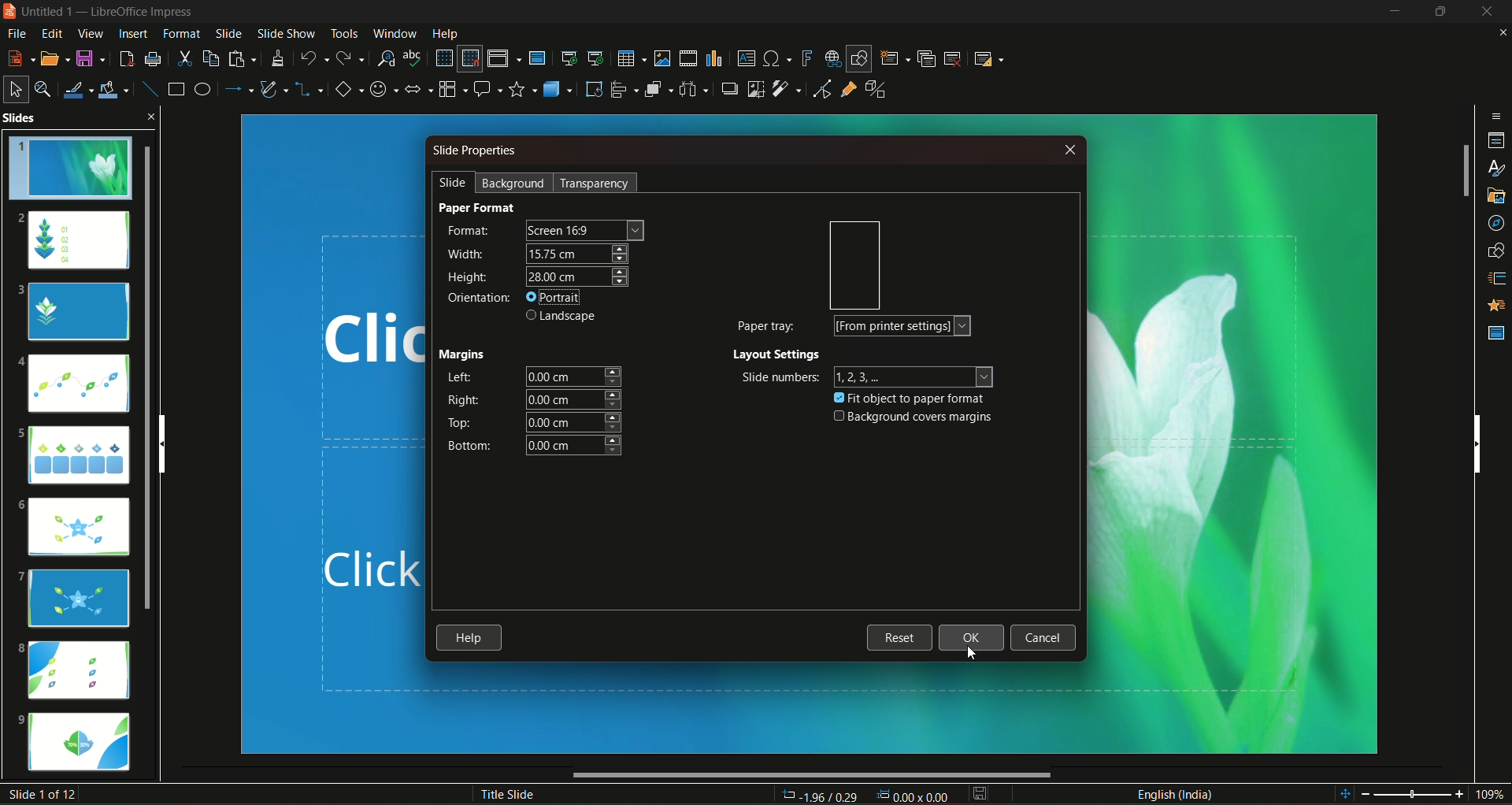 The height and width of the screenshot is (805, 1512). Describe the element at coordinates (479, 207) in the screenshot. I see `paper format` at that location.